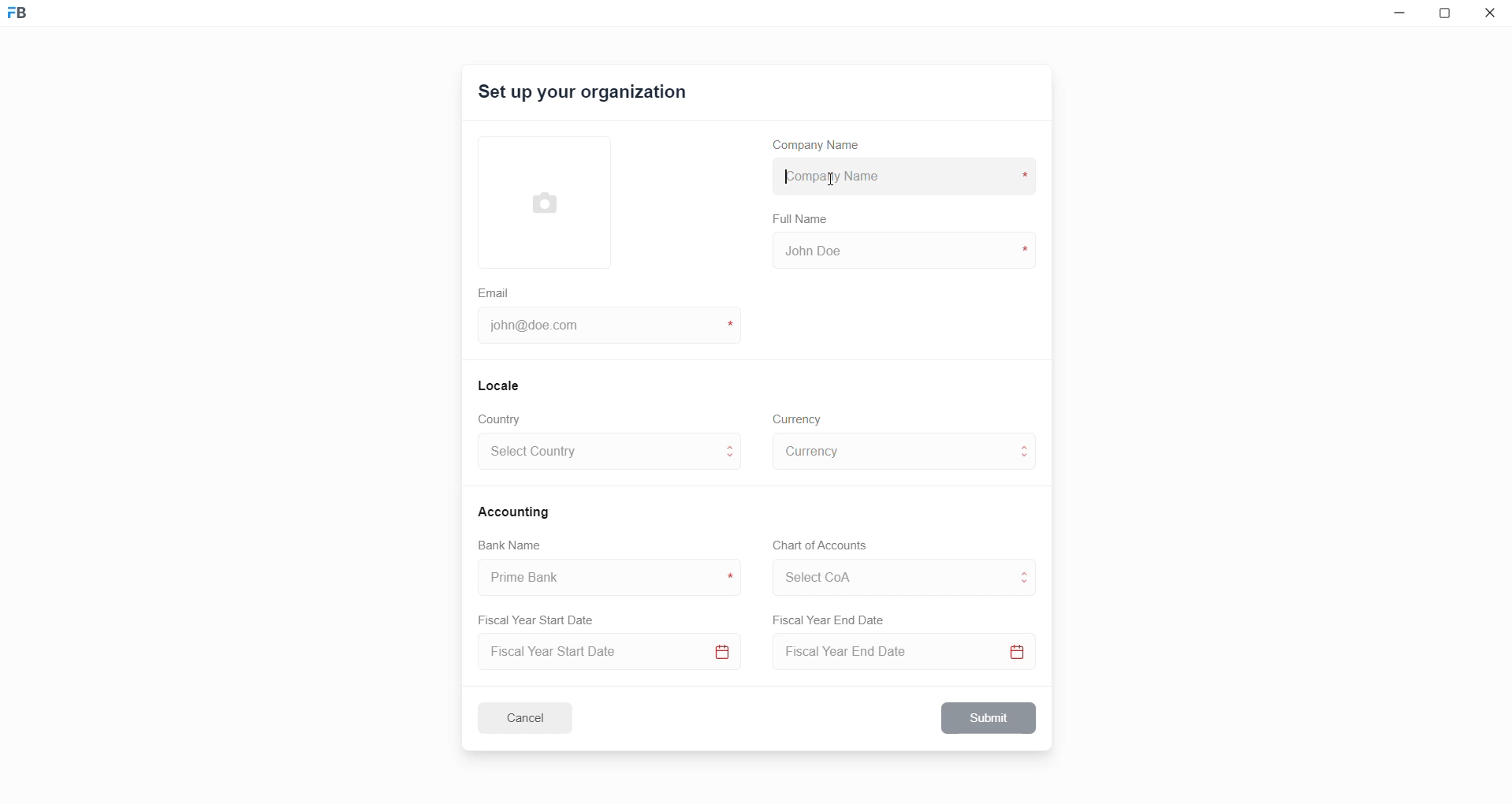 The image size is (1512, 804). Describe the element at coordinates (1449, 16) in the screenshot. I see `resize ` at that location.